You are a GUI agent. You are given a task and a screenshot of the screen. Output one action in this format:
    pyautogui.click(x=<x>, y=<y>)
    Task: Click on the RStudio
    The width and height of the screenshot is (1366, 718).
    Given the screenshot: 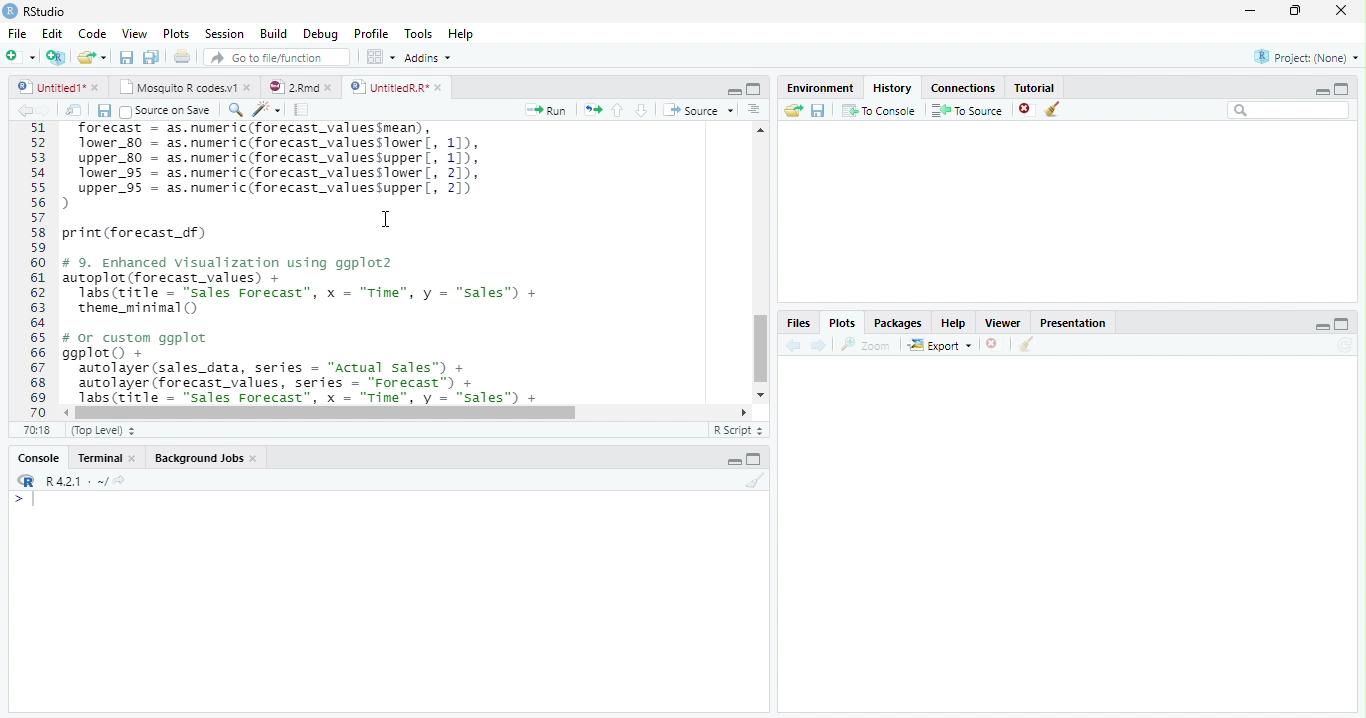 What is the action you would take?
    pyautogui.click(x=39, y=12)
    